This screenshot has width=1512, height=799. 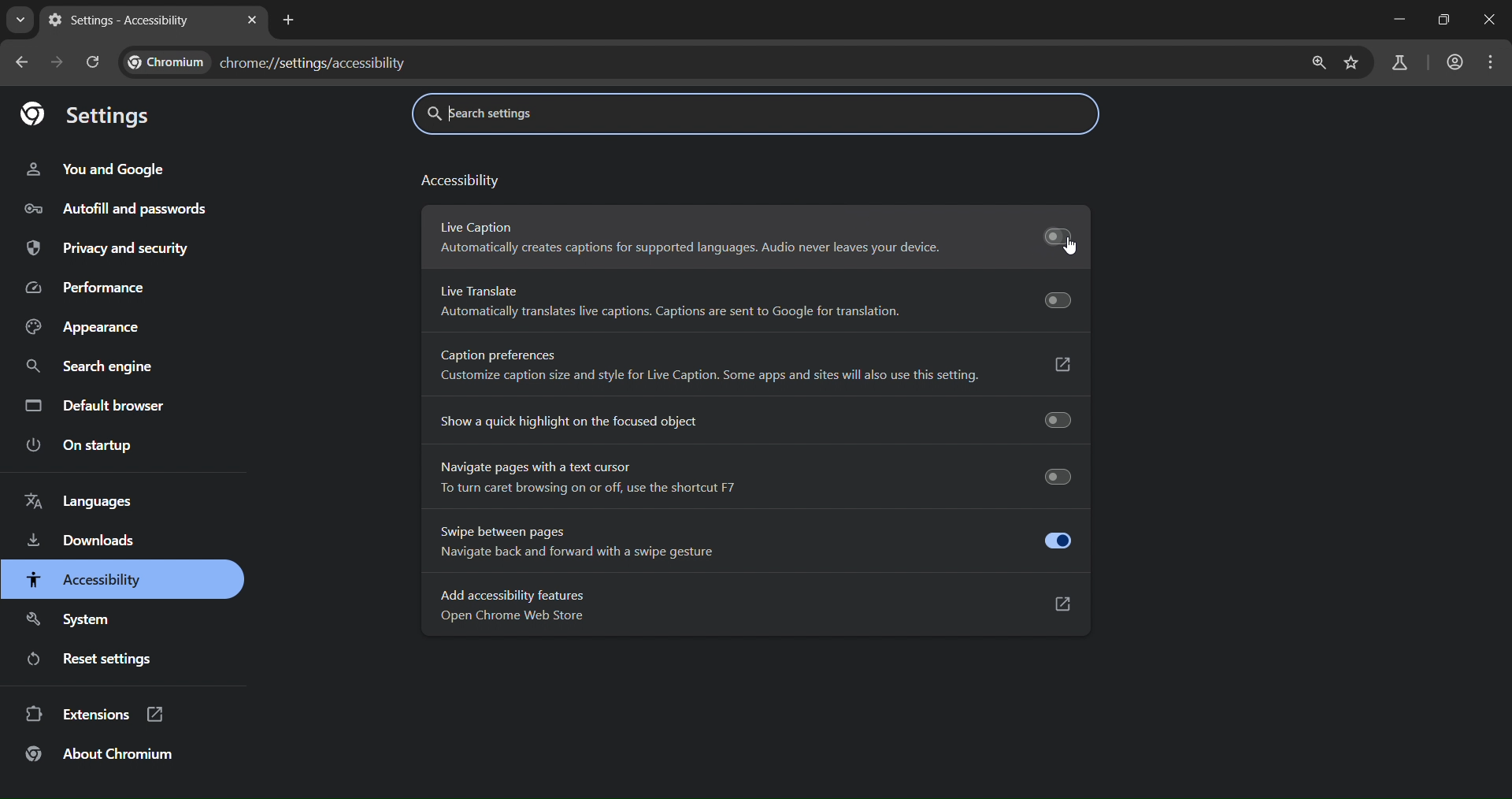 What do you see at coordinates (291, 21) in the screenshot?
I see `new tab` at bounding box center [291, 21].